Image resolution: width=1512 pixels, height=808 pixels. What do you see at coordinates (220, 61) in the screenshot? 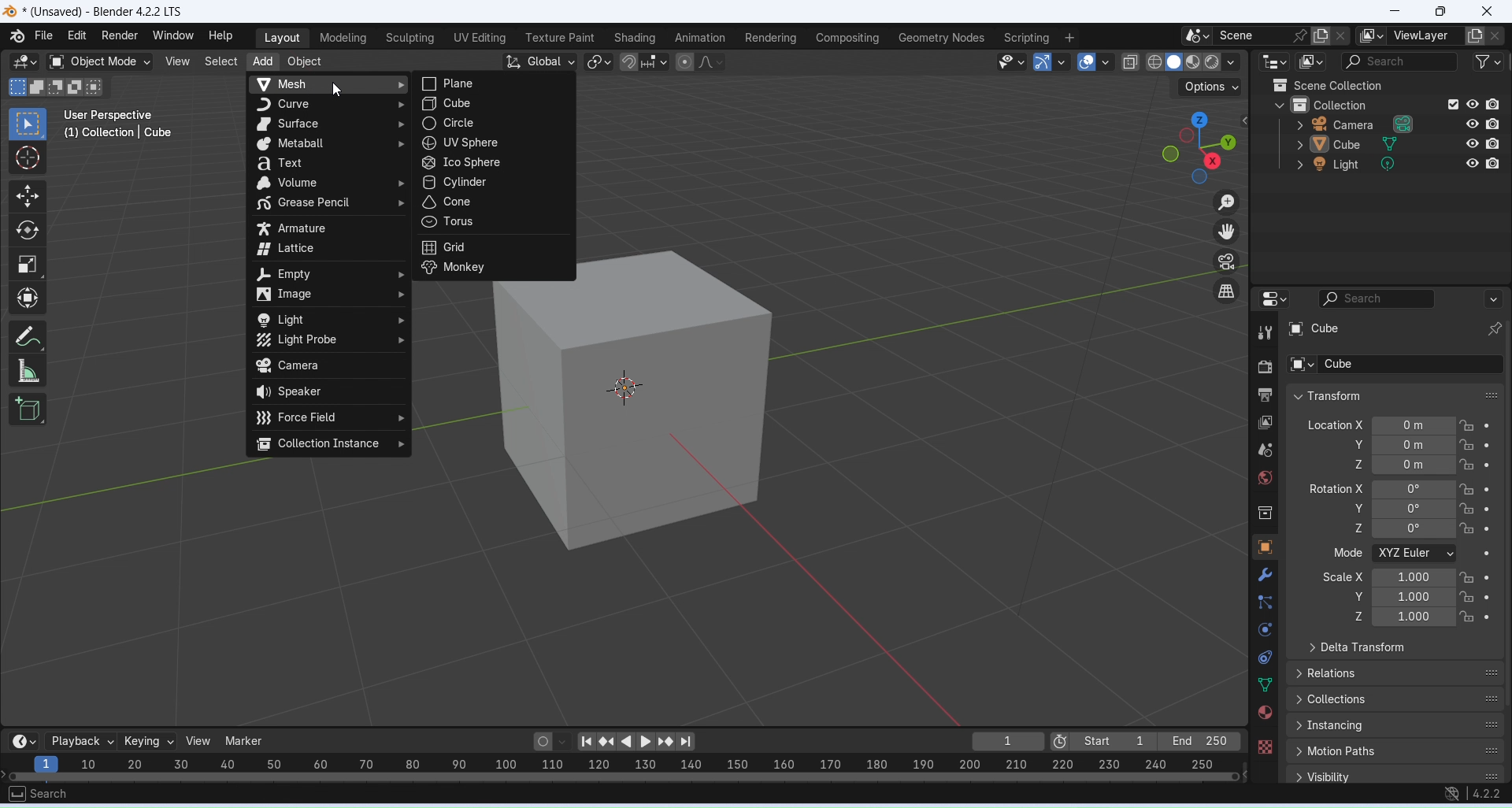
I see `Select` at bounding box center [220, 61].